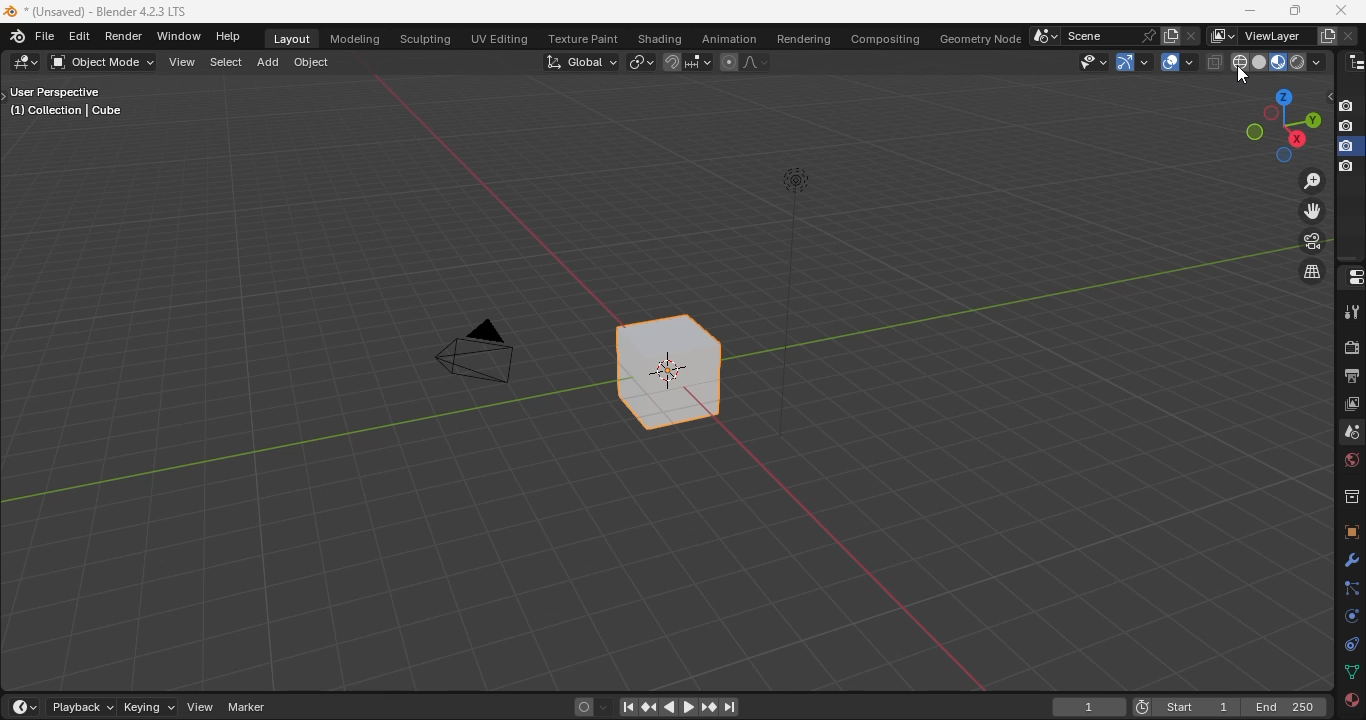 This screenshot has height=720, width=1366. What do you see at coordinates (1223, 35) in the screenshot?
I see `the active workspace view layer` at bounding box center [1223, 35].